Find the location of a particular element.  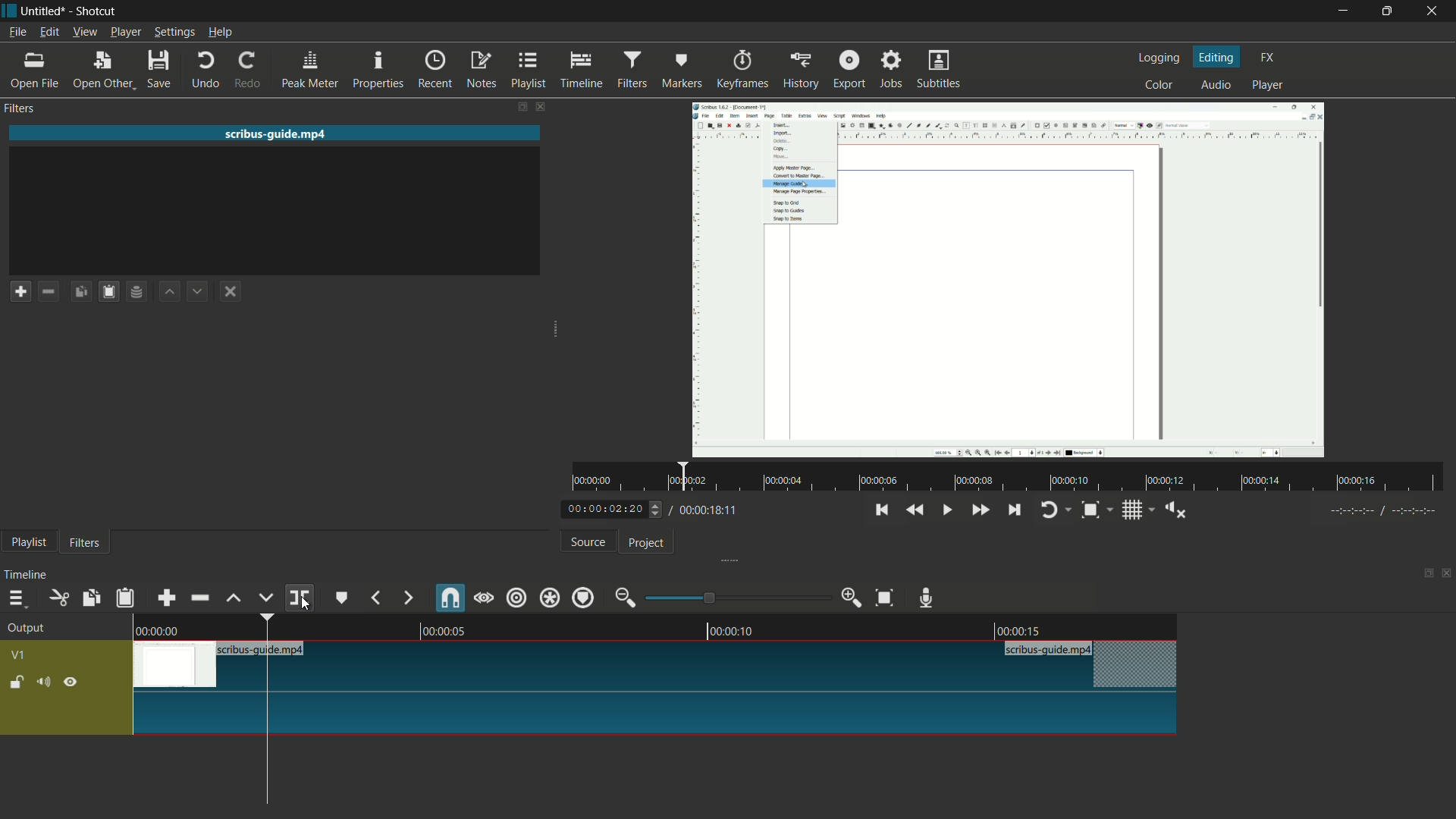

previous marker is located at coordinates (376, 597).